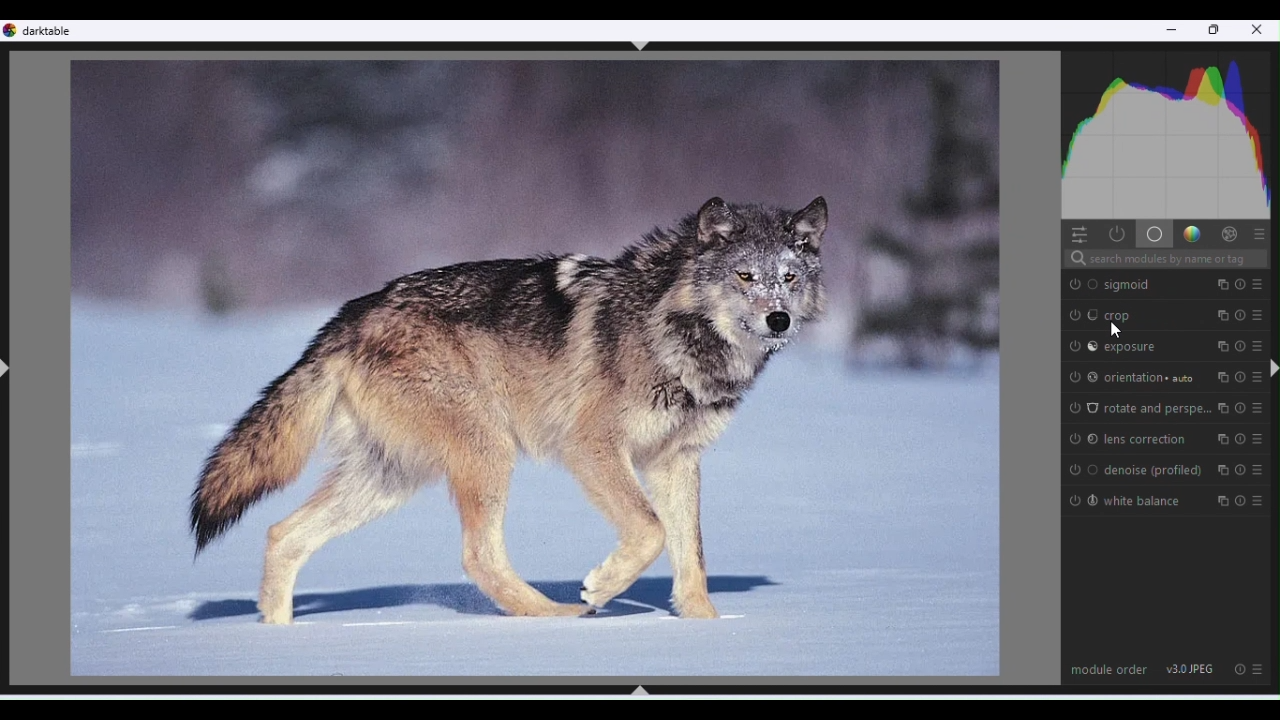  Describe the element at coordinates (1167, 470) in the screenshot. I see `De noise` at that location.